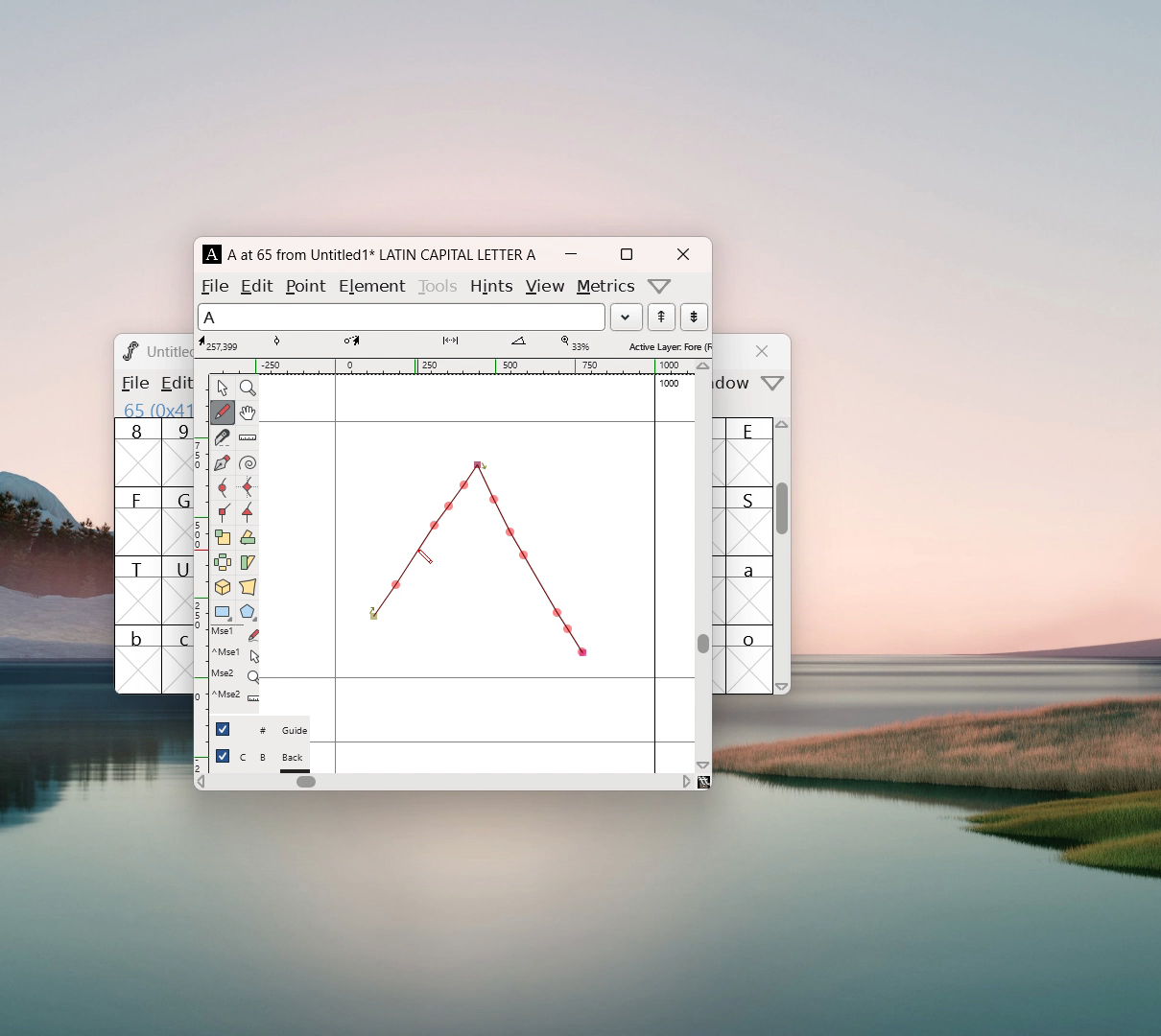 The height and width of the screenshot is (1036, 1161). Describe the element at coordinates (223, 538) in the screenshot. I see `scale the selection` at that location.